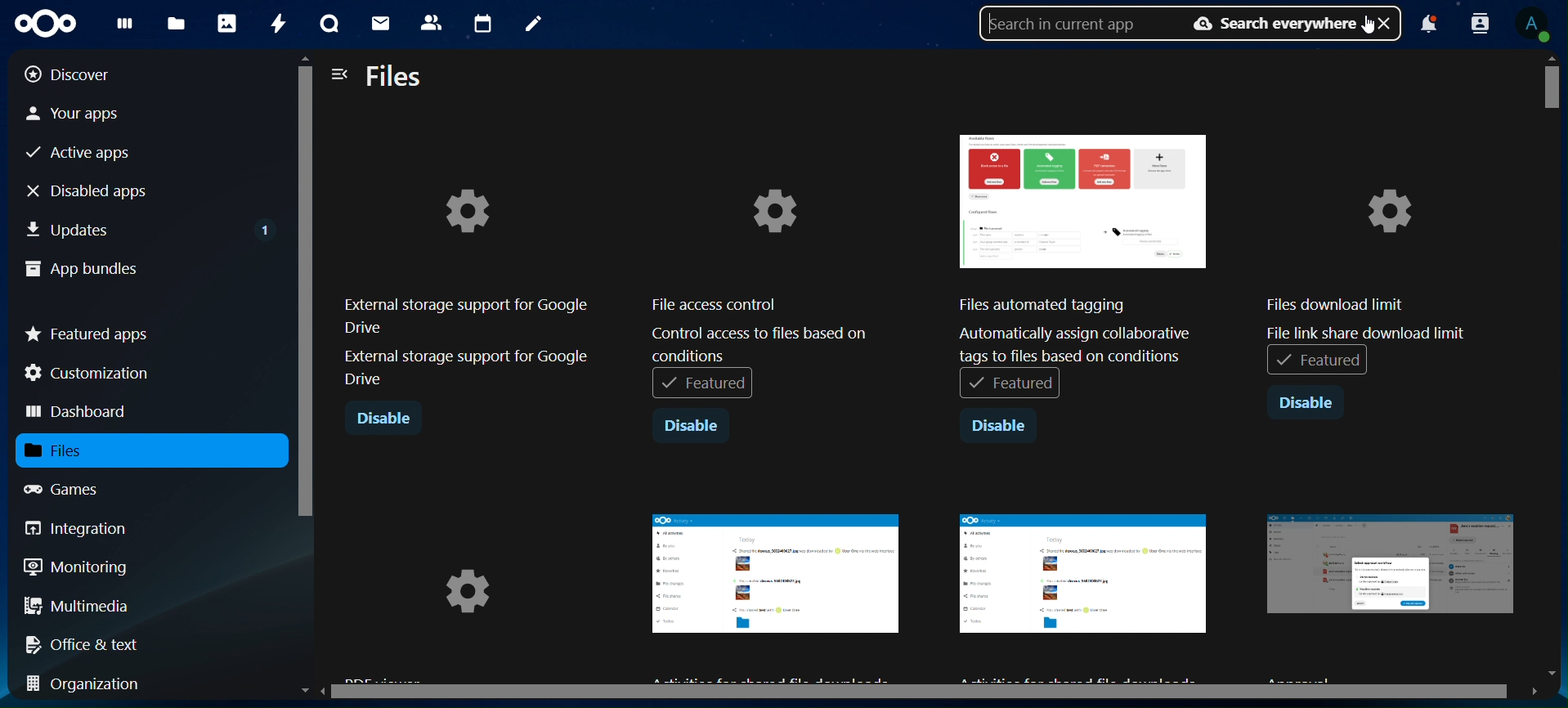 Image resolution: width=1568 pixels, height=708 pixels. What do you see at coordinates (91, 373) in the screenshot?
I see `customization` at bounding box center [91, 373].